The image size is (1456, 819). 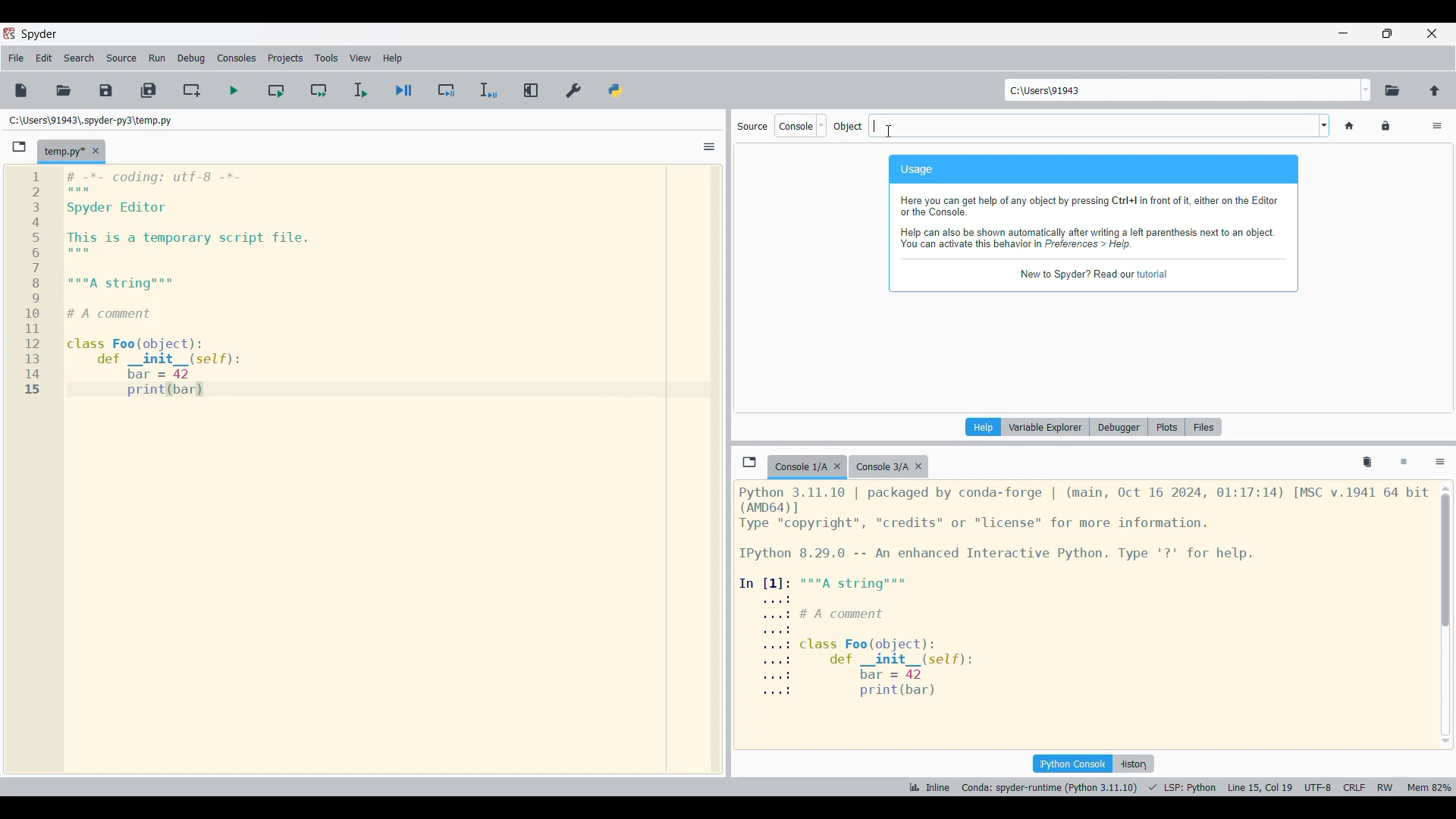 What do you see at coordinates (1404, 463) in the screenshot?
I see `Interrupt kernel` at bounding box center [1404, 463].